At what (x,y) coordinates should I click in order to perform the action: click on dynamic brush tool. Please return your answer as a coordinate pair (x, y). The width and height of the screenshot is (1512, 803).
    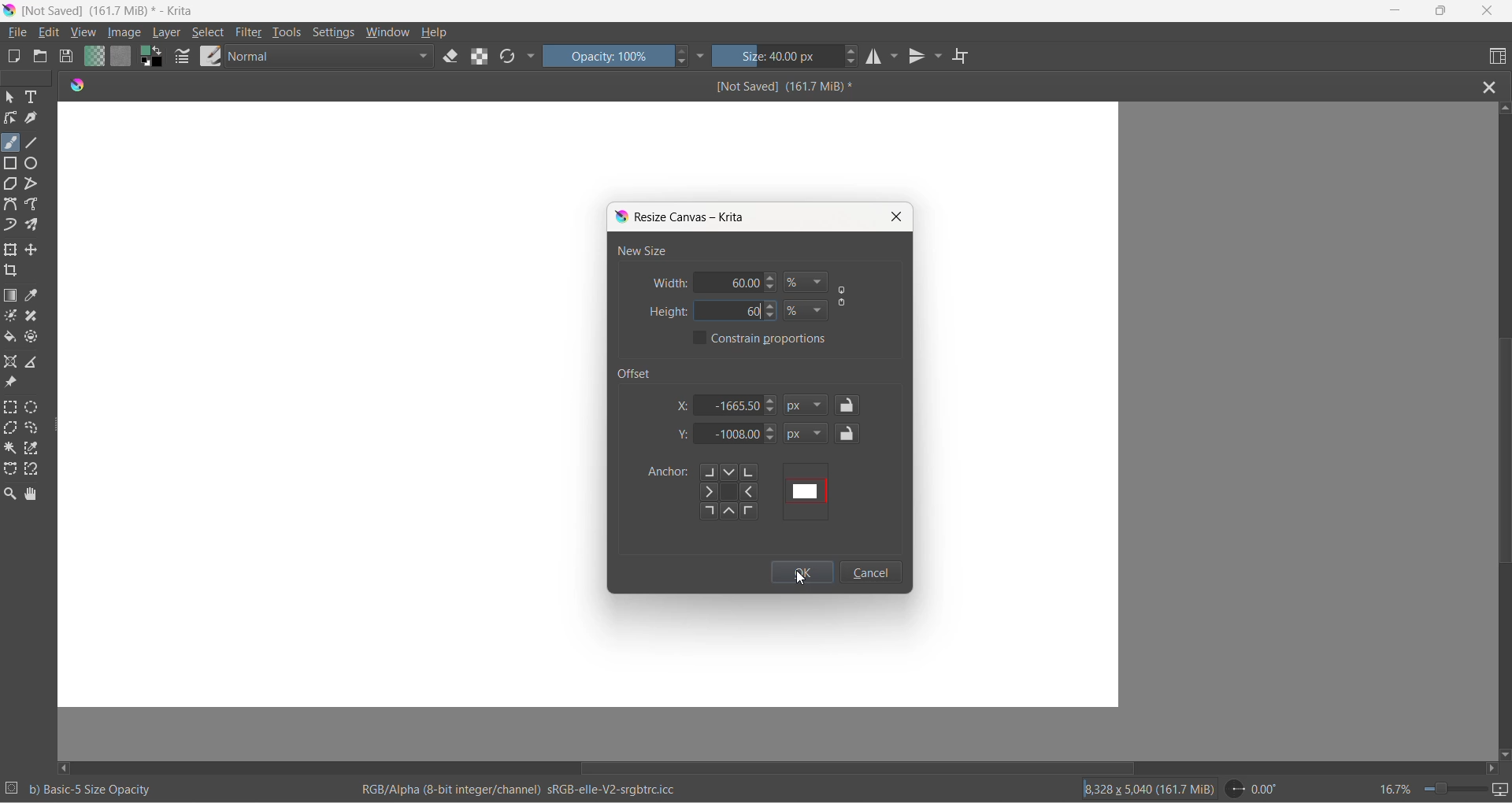
    Looking at the image, I should click on (12, 226).